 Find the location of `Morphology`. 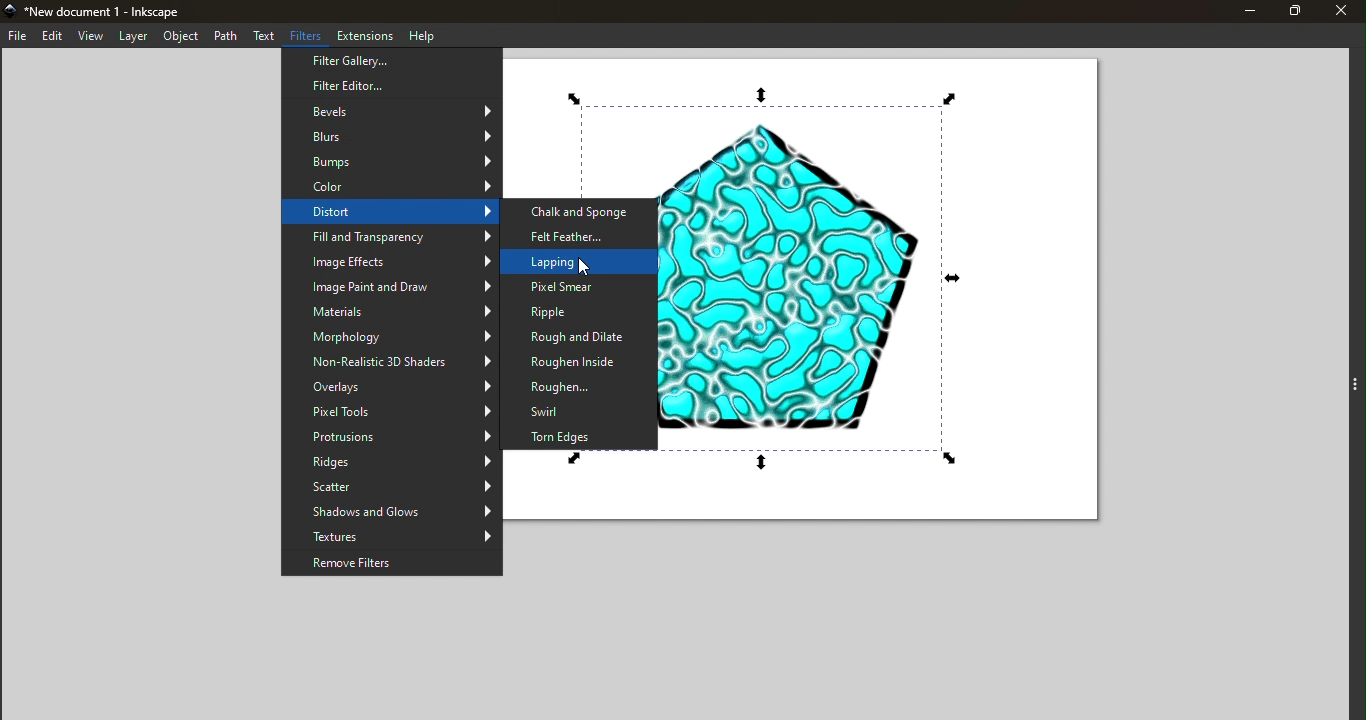

Morphology is located at coordinates (391, 337).